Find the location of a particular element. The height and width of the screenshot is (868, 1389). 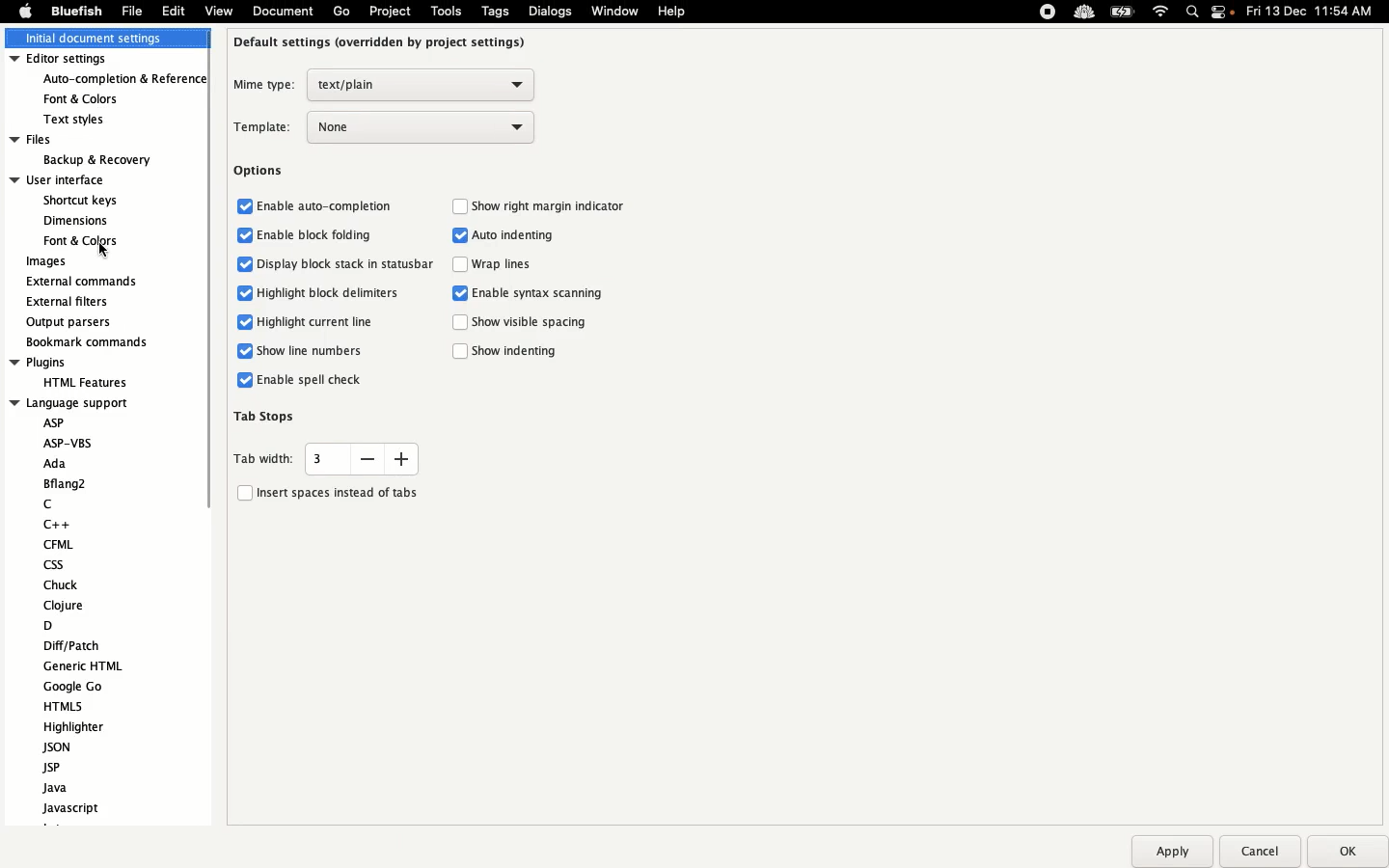

Edit is located at coordinates (174, 11).